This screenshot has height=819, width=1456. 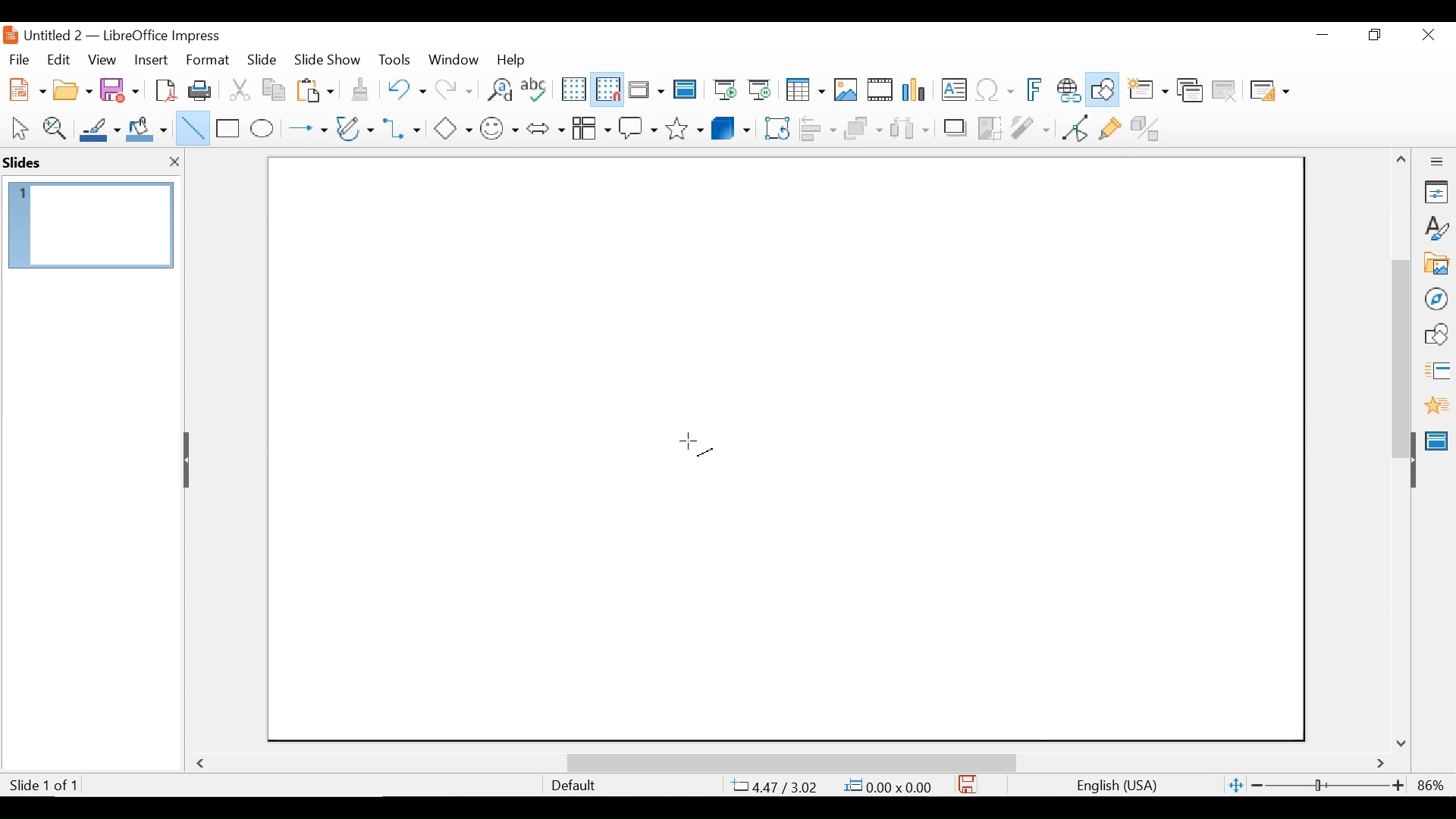 I want to click on Slide, so click(x=262, y=58).